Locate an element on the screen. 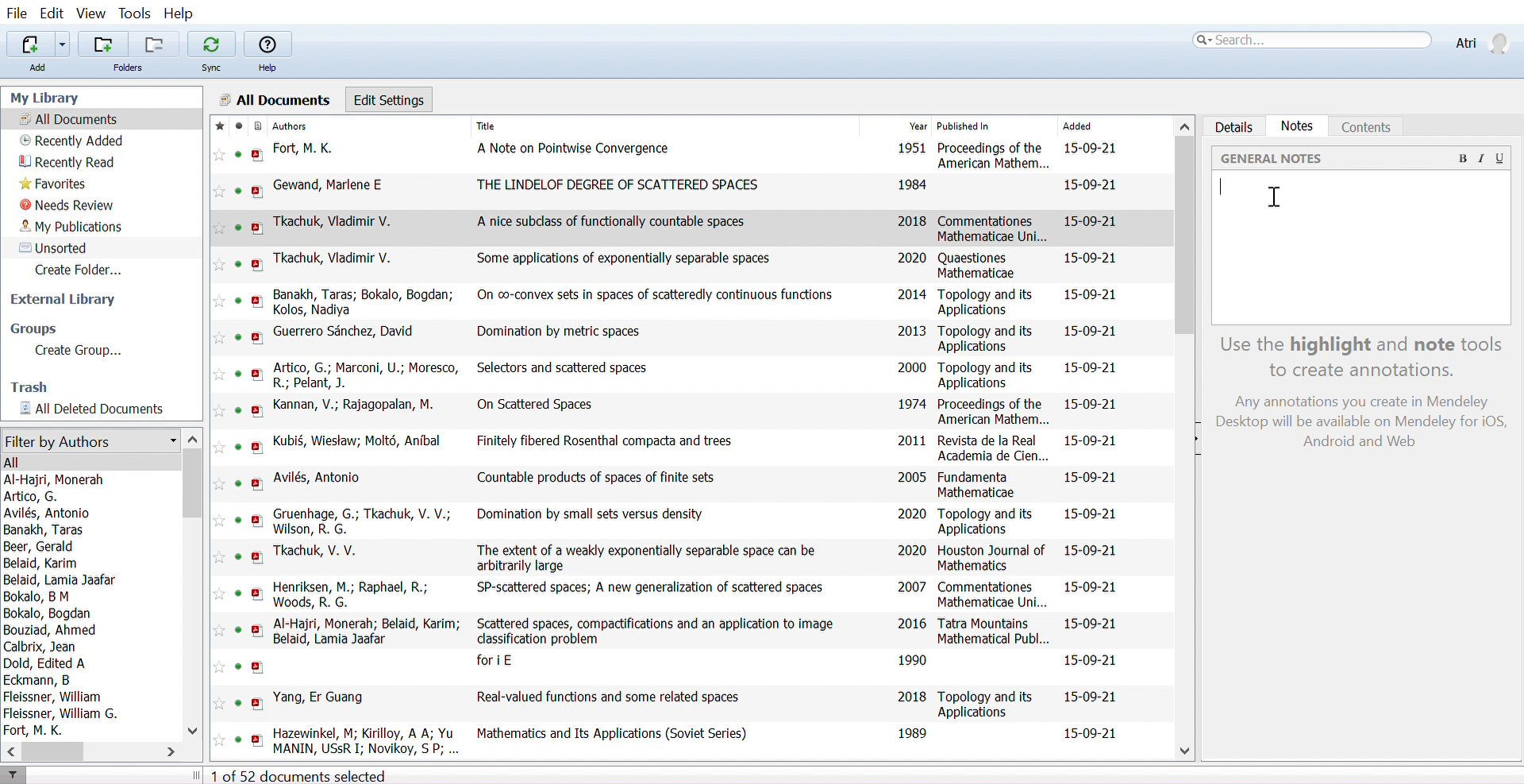  Real-valued functions and some related spaces is located at coordinates (609, 698).